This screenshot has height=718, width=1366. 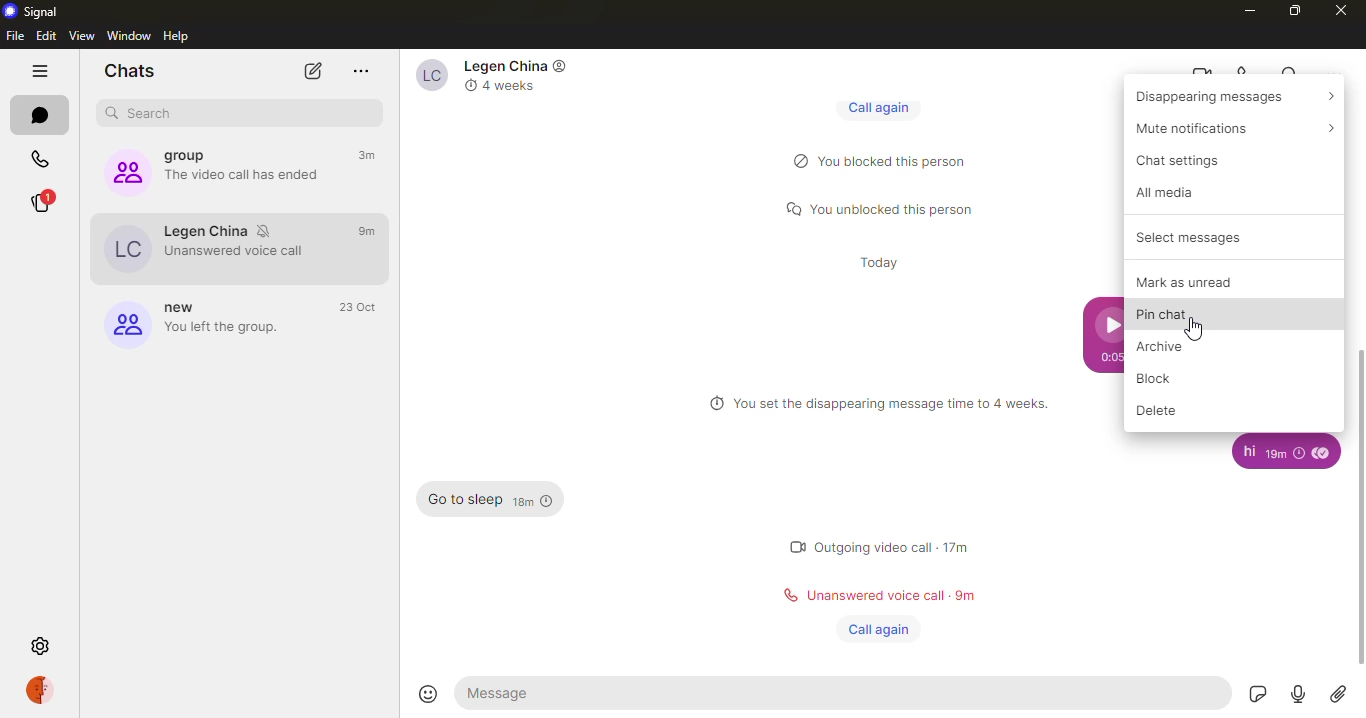 What do you see at coordinates (848, 694) in the screenshot?
I see `message` at bounding box center [848, 694].